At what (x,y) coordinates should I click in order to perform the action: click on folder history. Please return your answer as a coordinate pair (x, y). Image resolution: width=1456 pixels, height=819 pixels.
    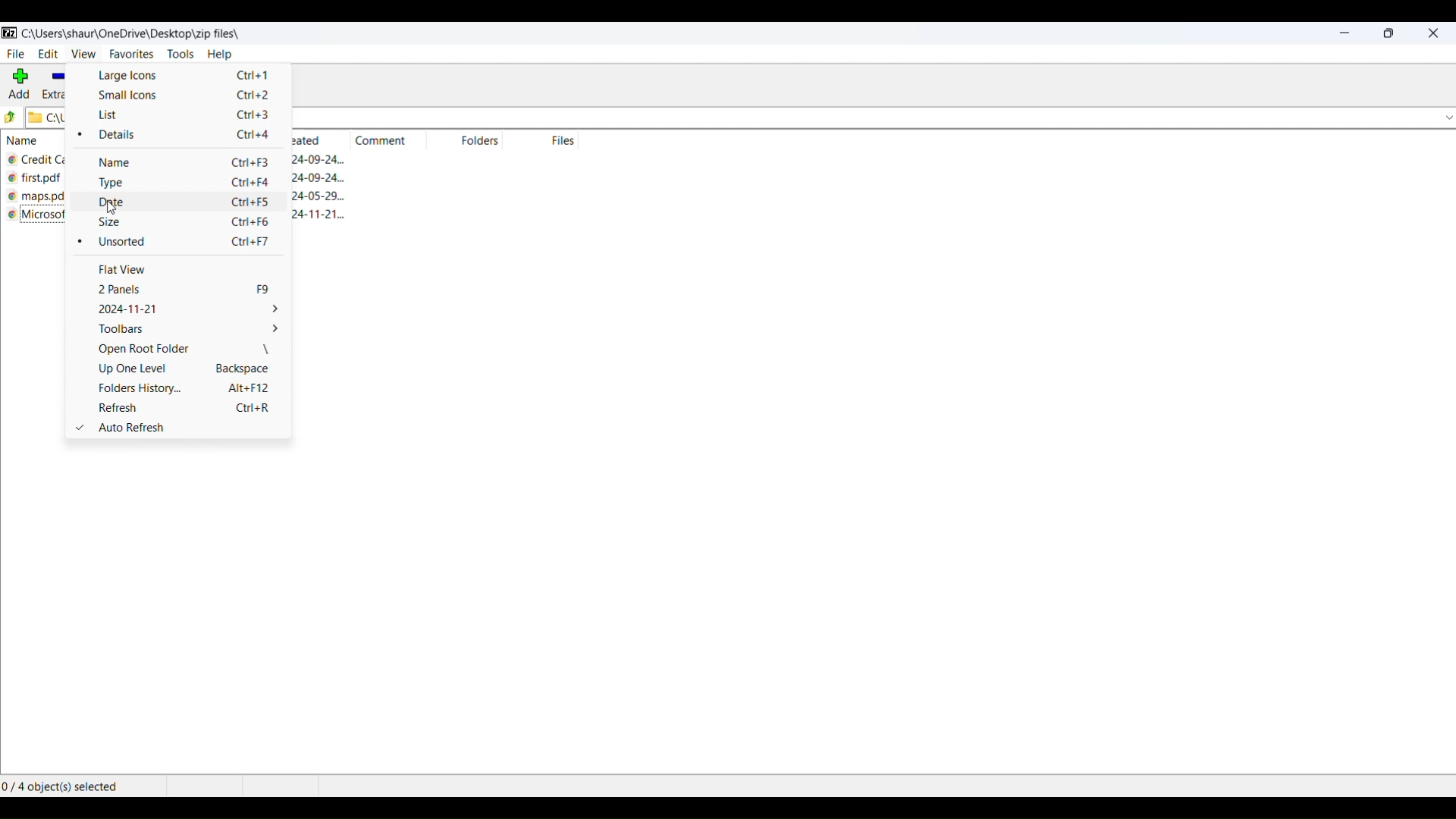
    Looking at the image, I should click on (183, 391).